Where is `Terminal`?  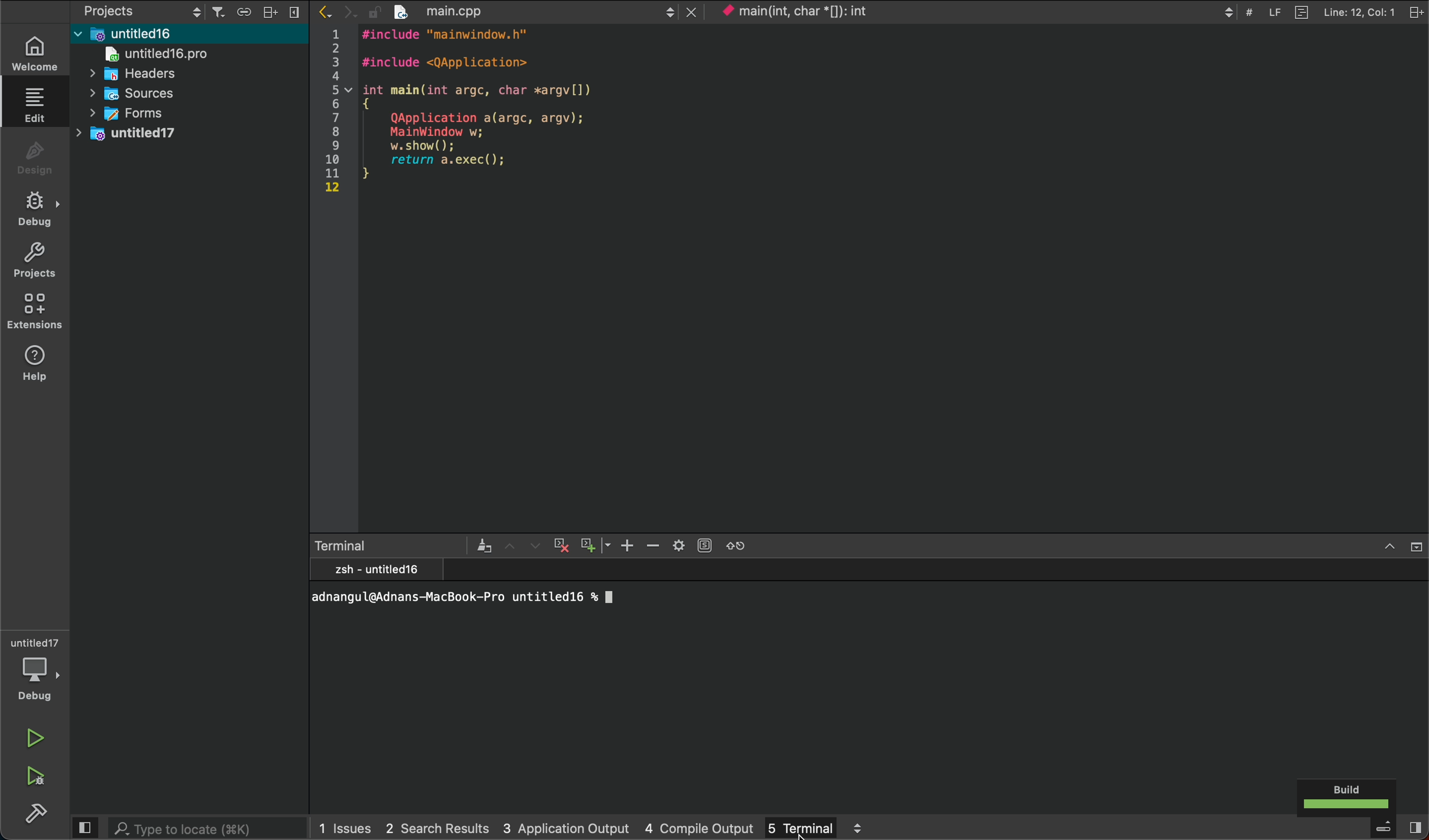 Terminal is located at coordinates (801, 828).